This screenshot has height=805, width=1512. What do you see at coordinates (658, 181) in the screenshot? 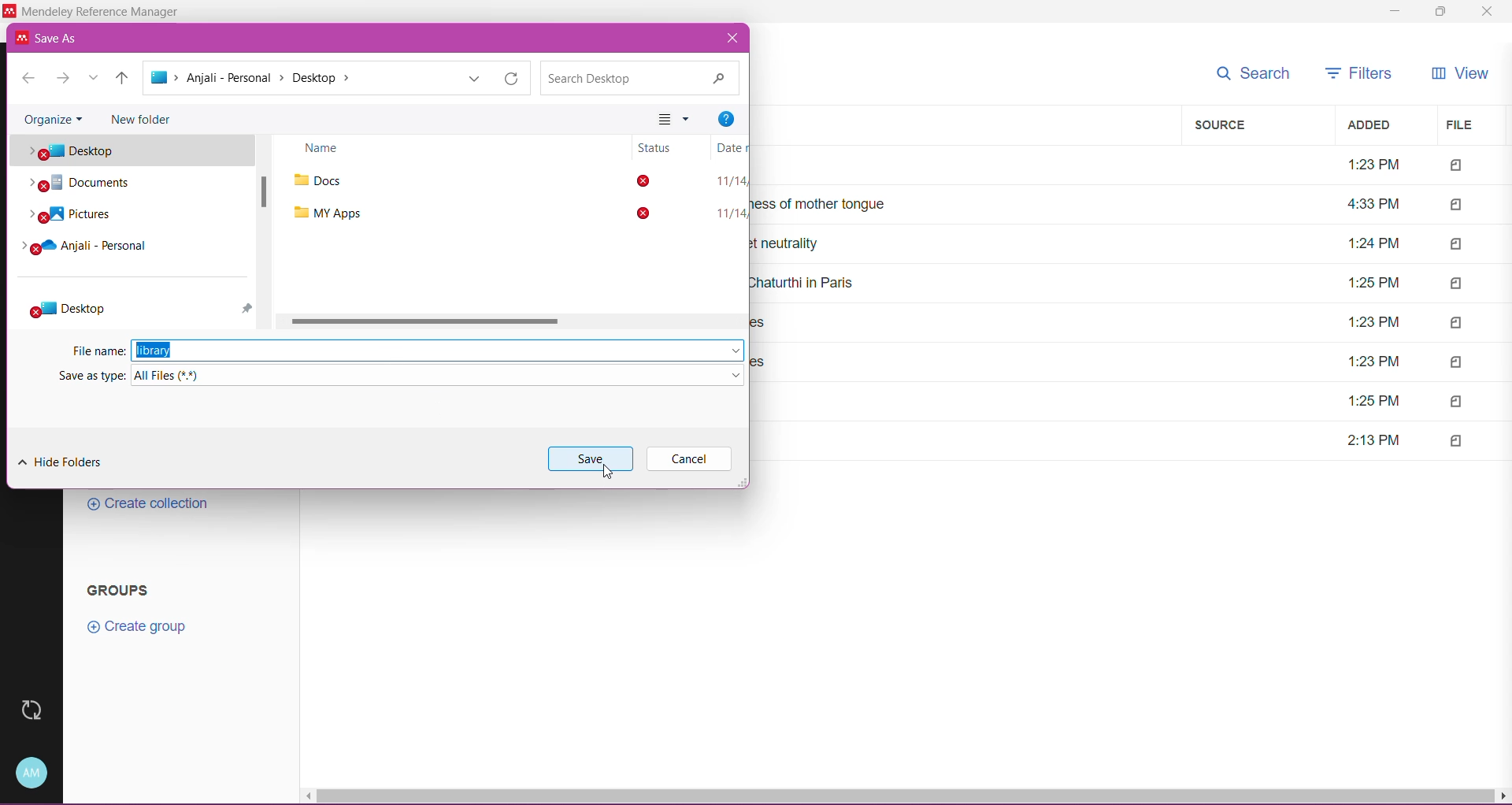
I see `Status` at bounding box center [658, 181].